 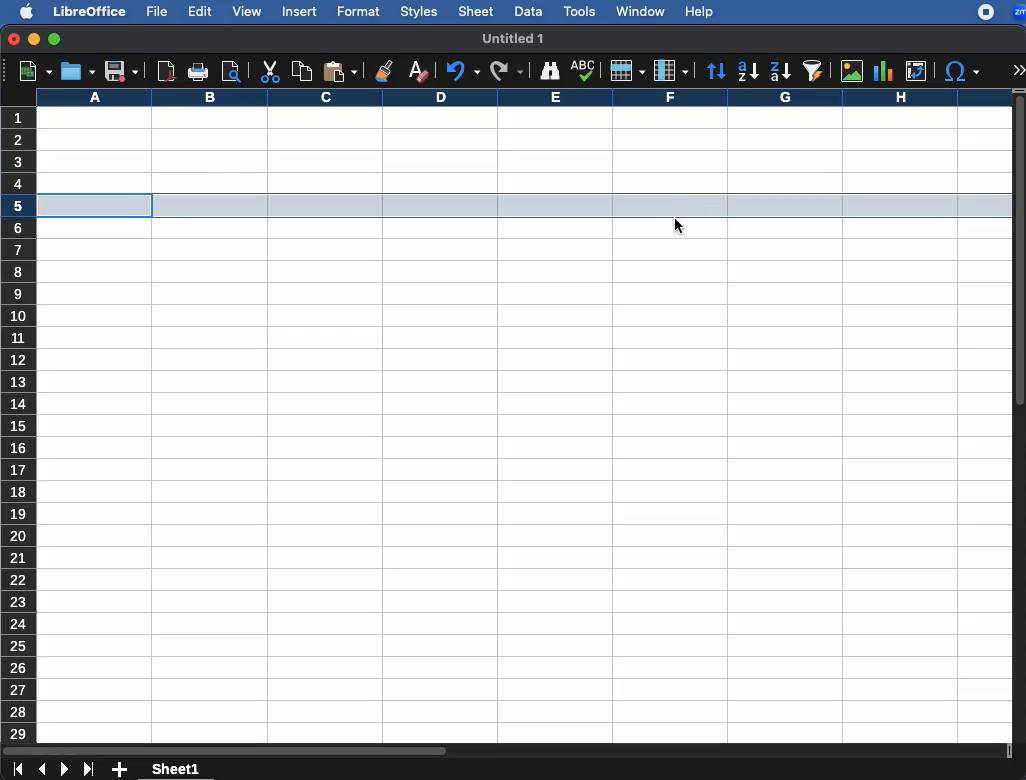 What do you see at coordinates (340, 72) in the screenshot?
I see `paste` at bounding box center [340, 72].